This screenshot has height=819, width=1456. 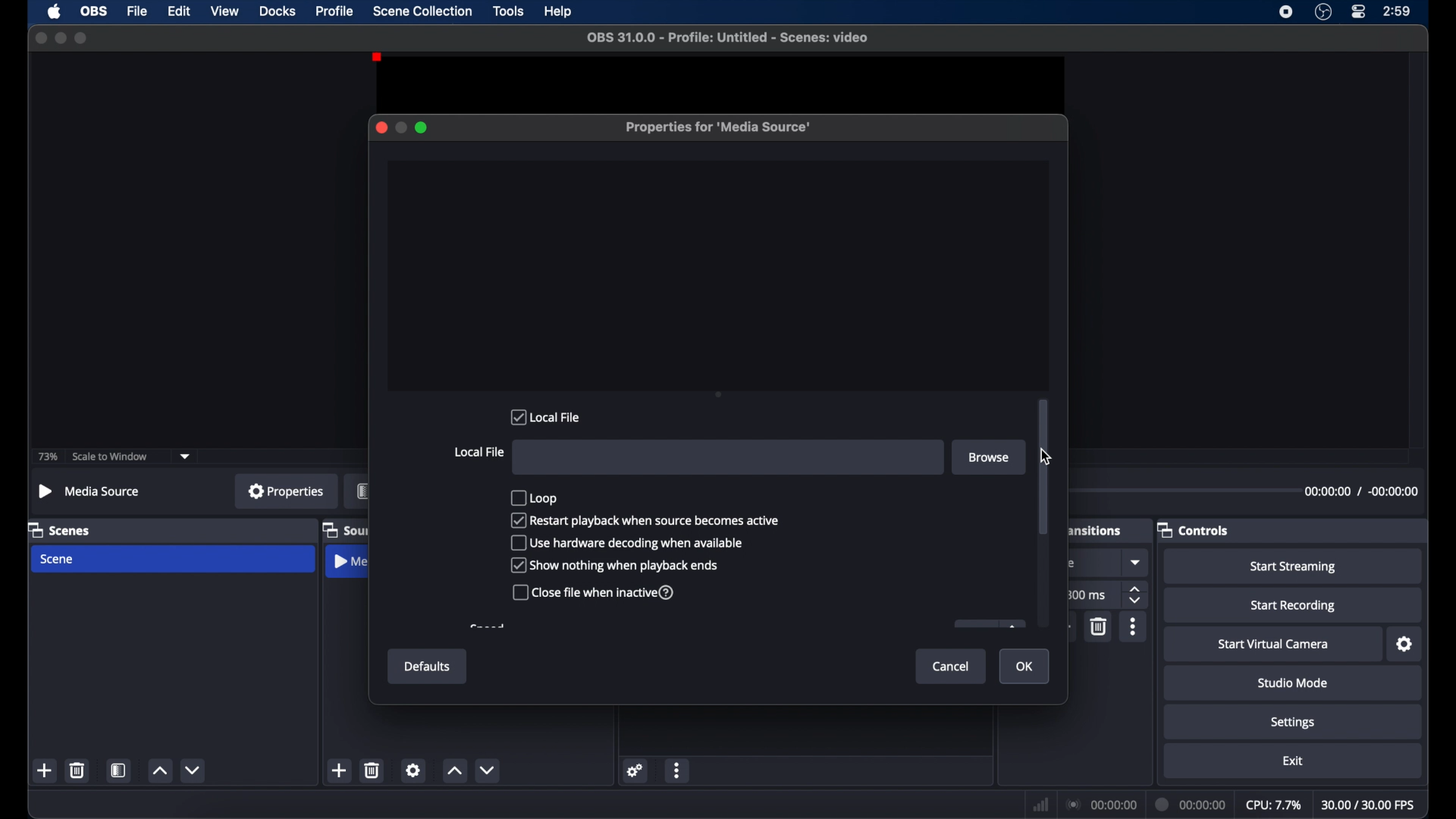 I want to click on docks, so click(x=278, y=12).